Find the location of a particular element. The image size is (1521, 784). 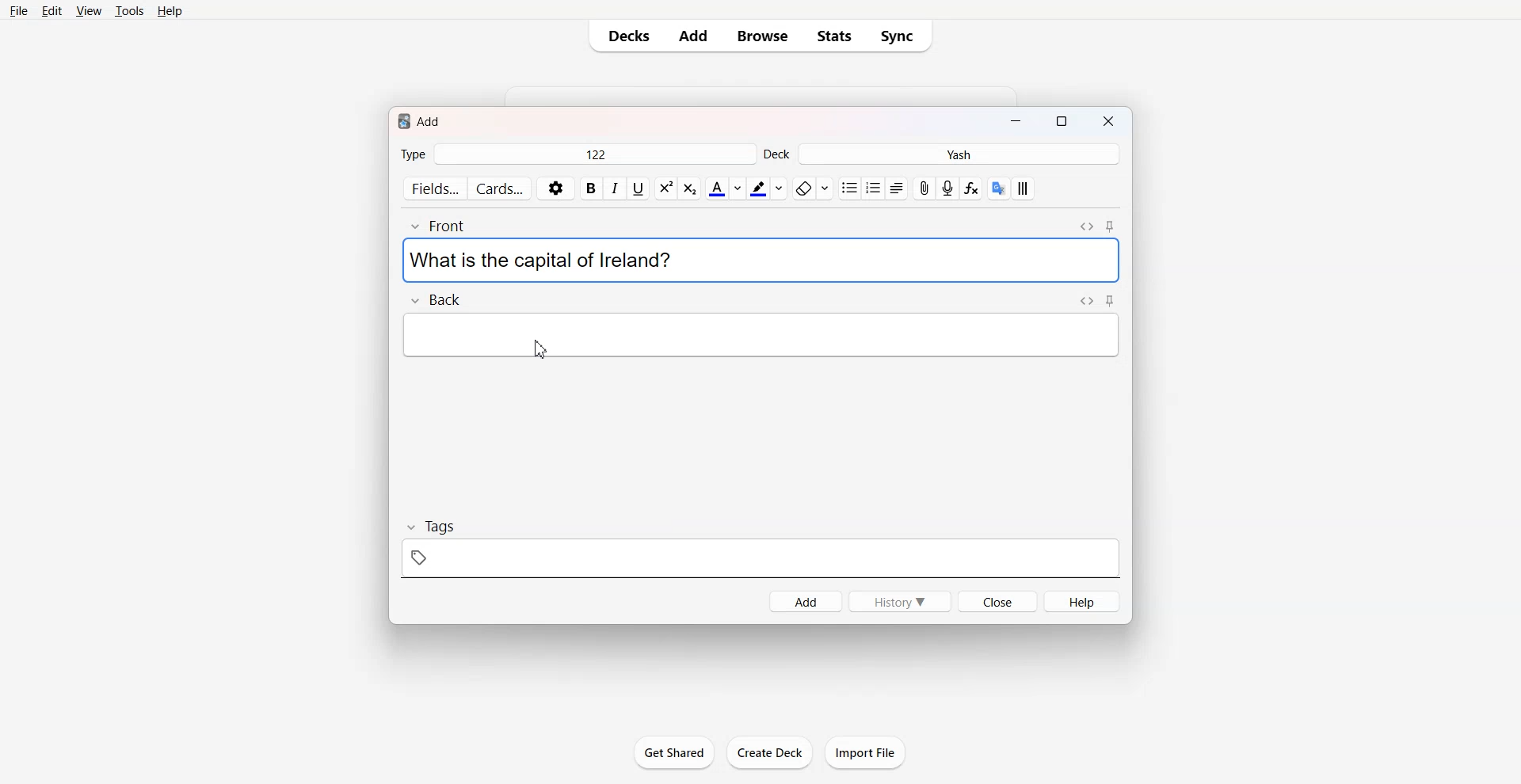

Add is located at coordinates (805, 600).